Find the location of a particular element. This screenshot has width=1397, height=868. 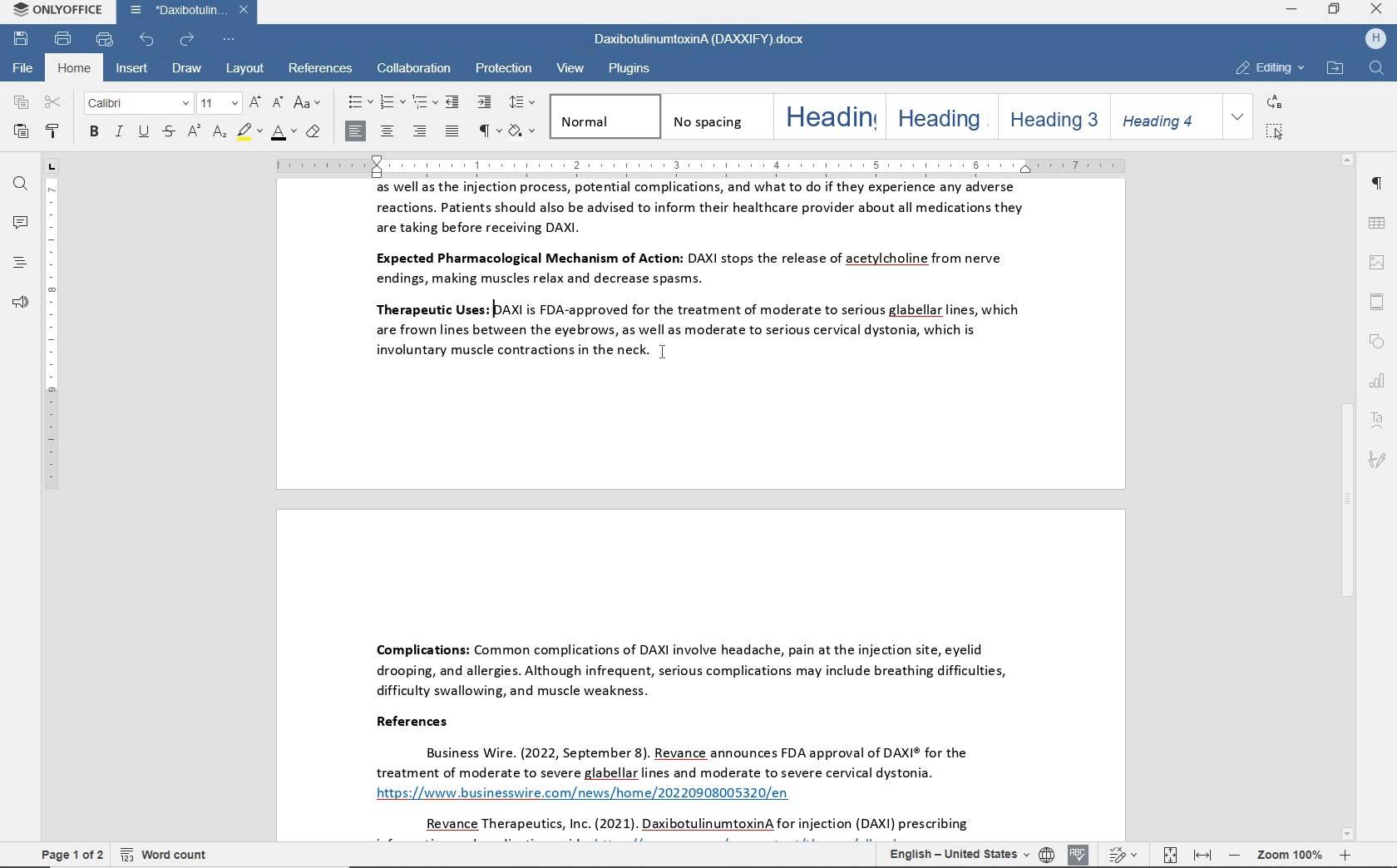

editing is located at coordinates (1270, 68).